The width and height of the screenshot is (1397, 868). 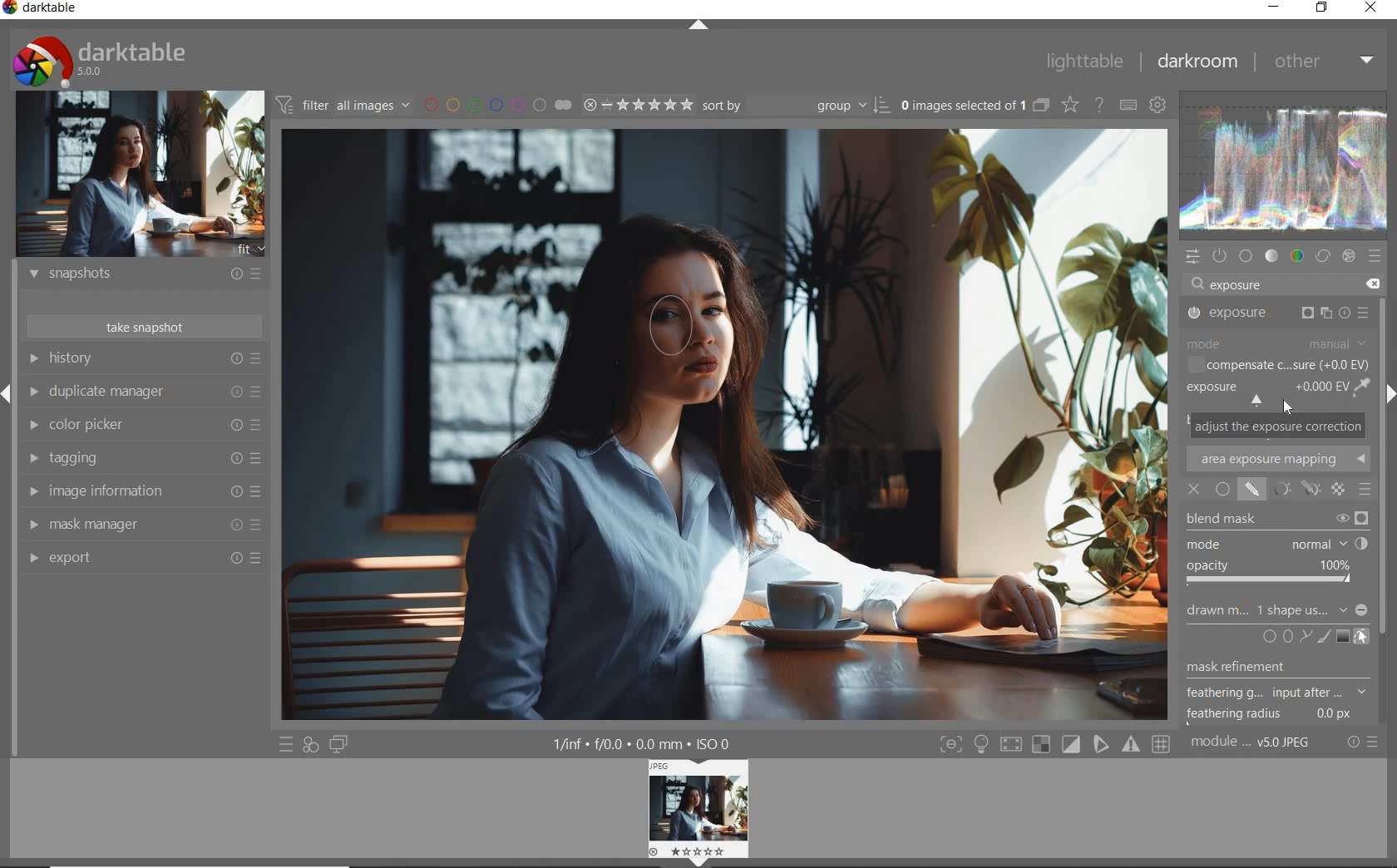 What do you see at coordinates (1271, 255) in the screenshot?
I see `tone` at bounding box center [1271, 255].